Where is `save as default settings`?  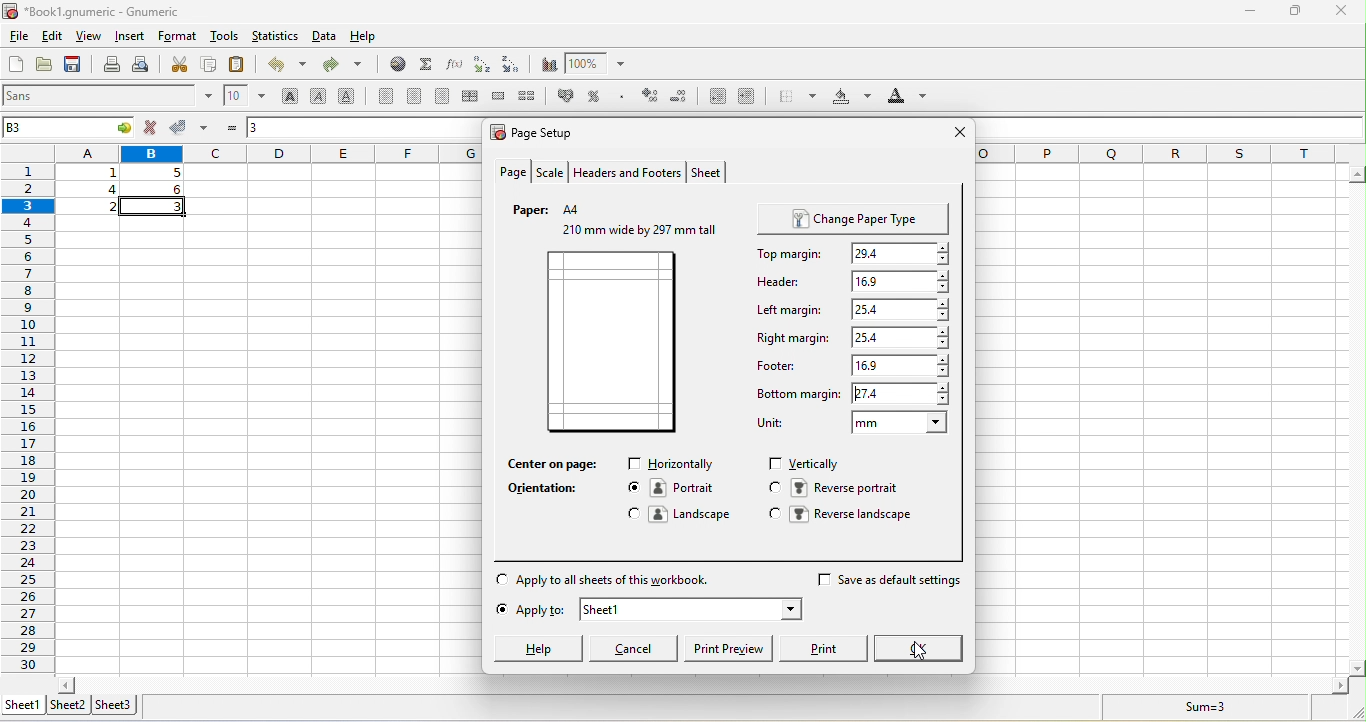
save as default settings is located at coordinates (891, 584).